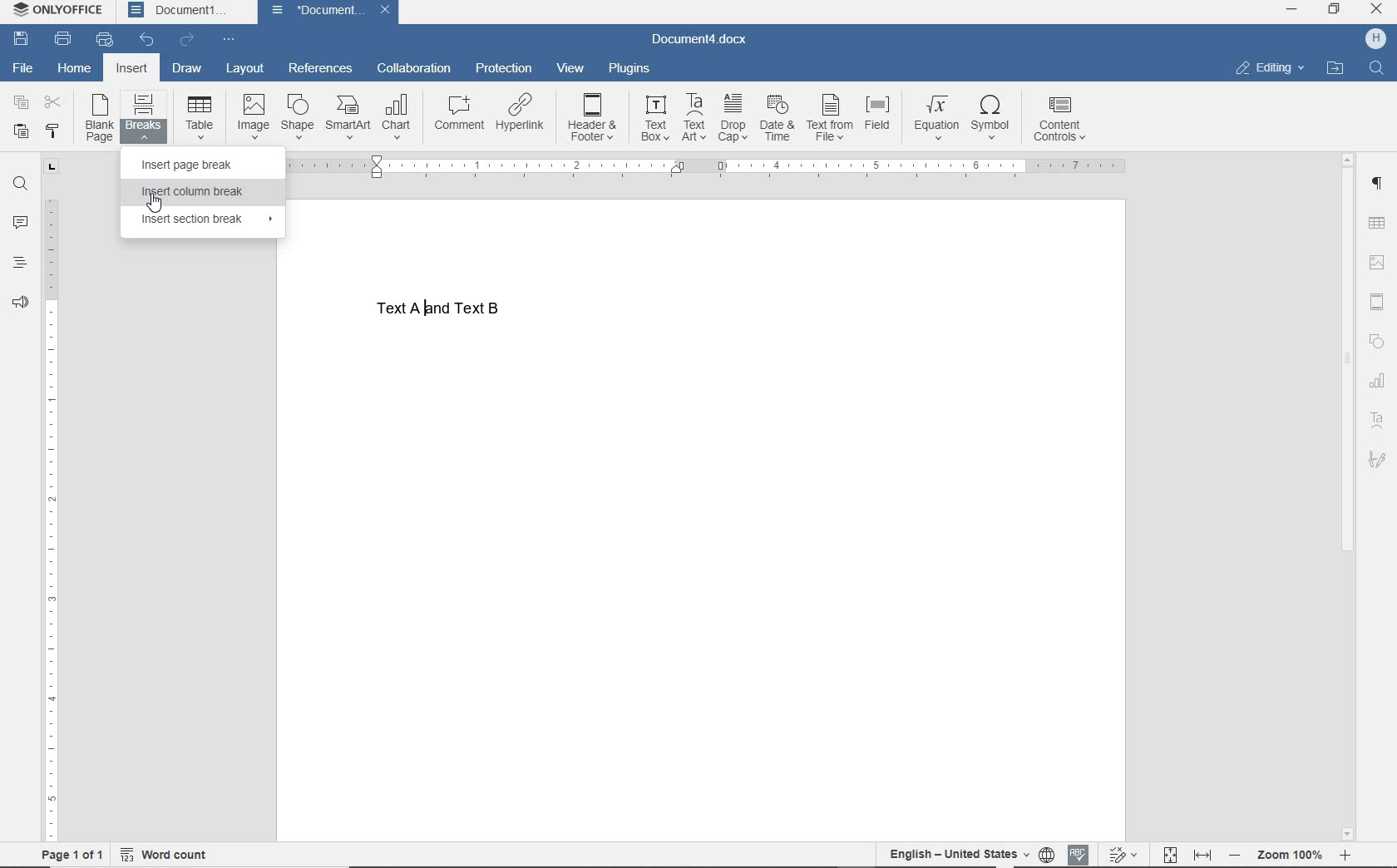 This screenshot has width=1397, height=868. I want to click on INSERT COLUMN BREAK, so click(195, 194).